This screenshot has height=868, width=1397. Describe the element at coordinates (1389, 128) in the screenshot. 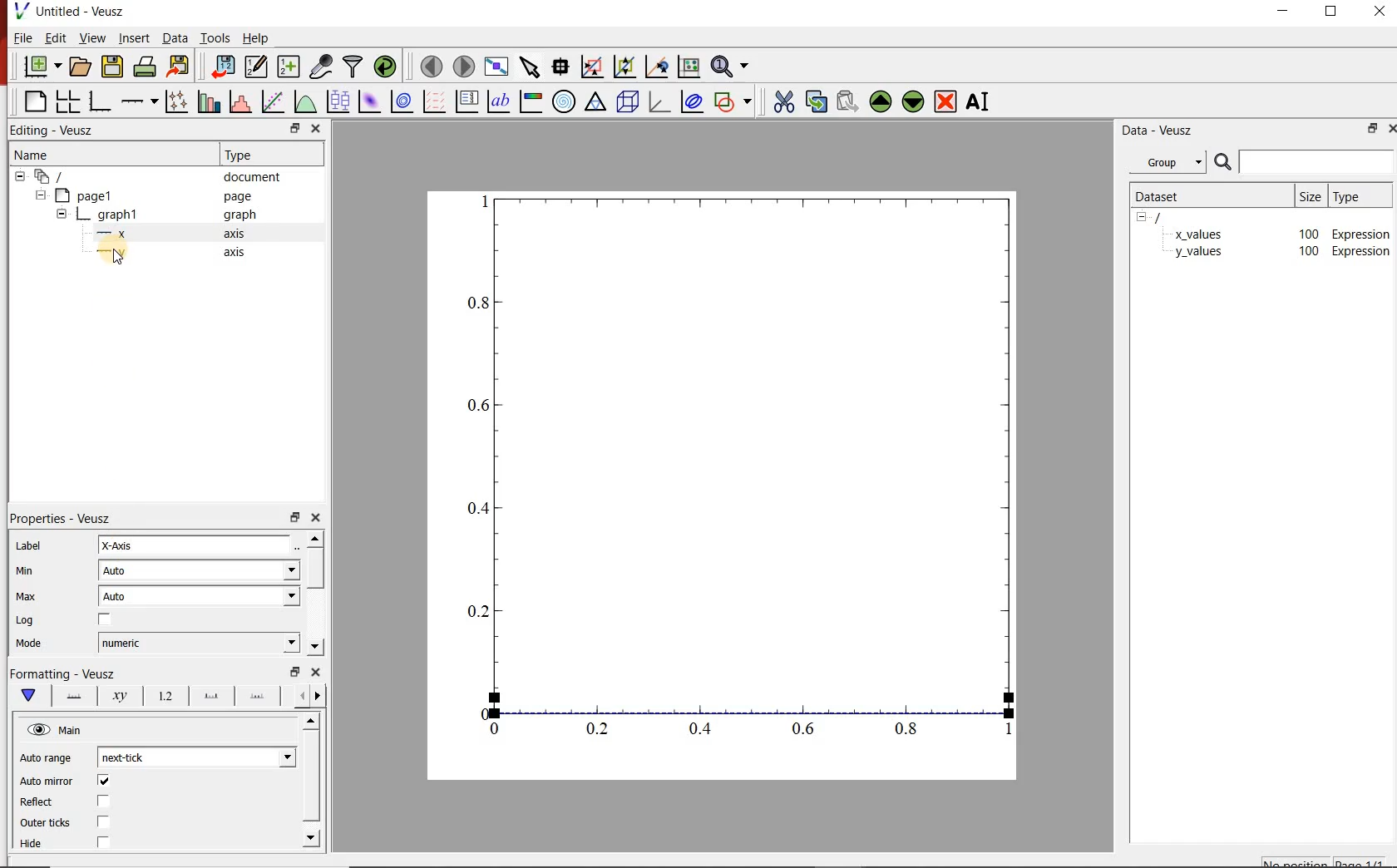

I see `close` at that location.